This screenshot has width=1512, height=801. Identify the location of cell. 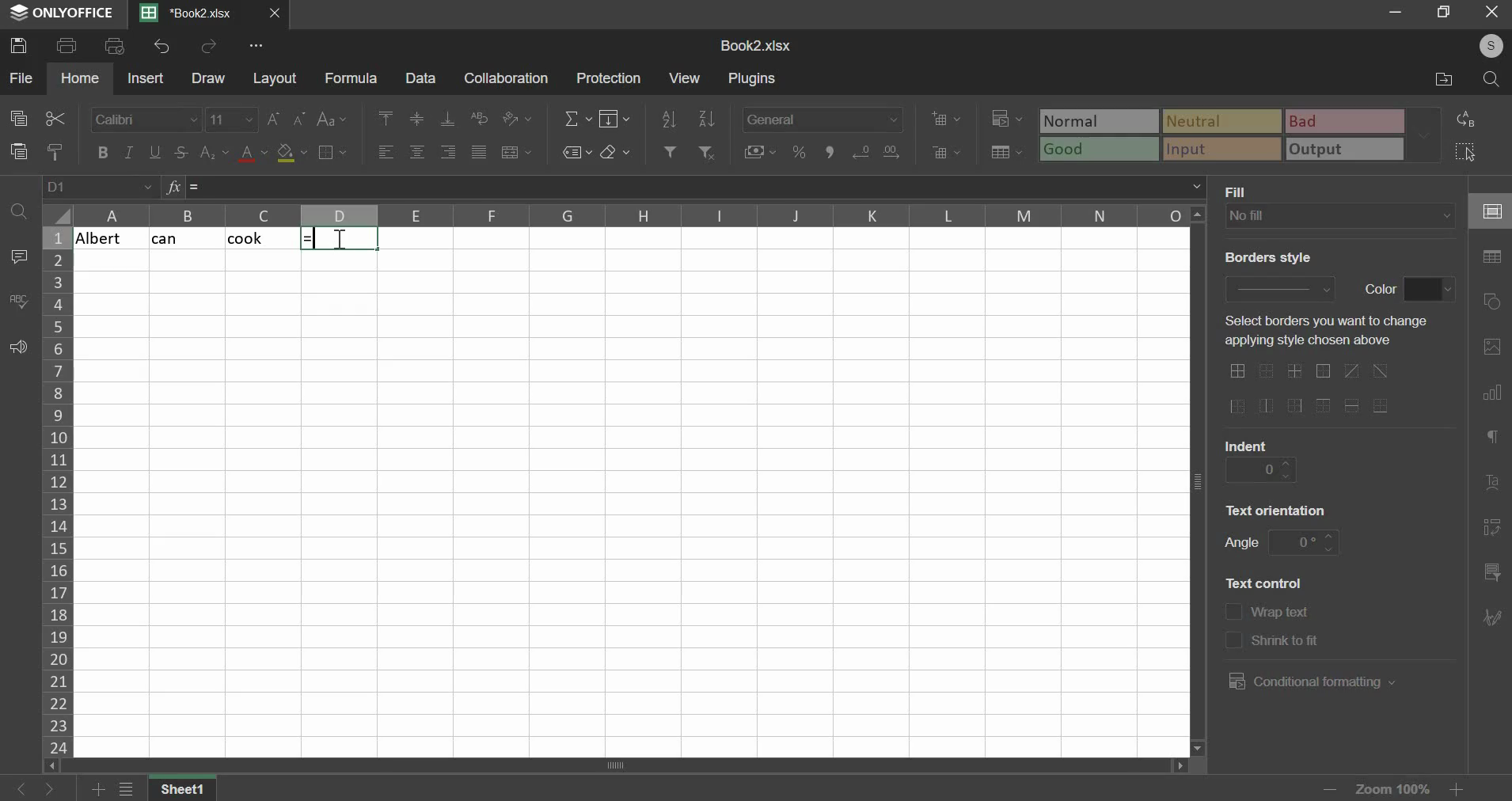
(1490, 212).